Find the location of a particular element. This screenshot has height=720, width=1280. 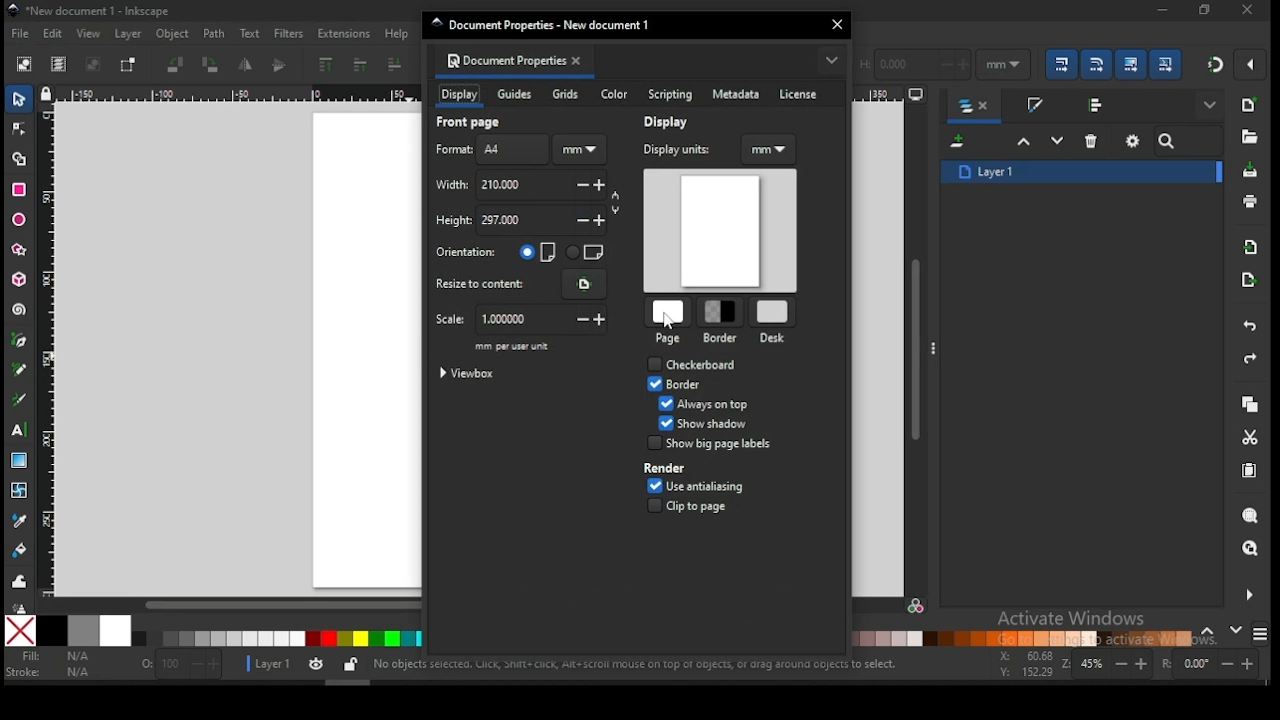

horizontal ruler is located at coordinates (892, 96).